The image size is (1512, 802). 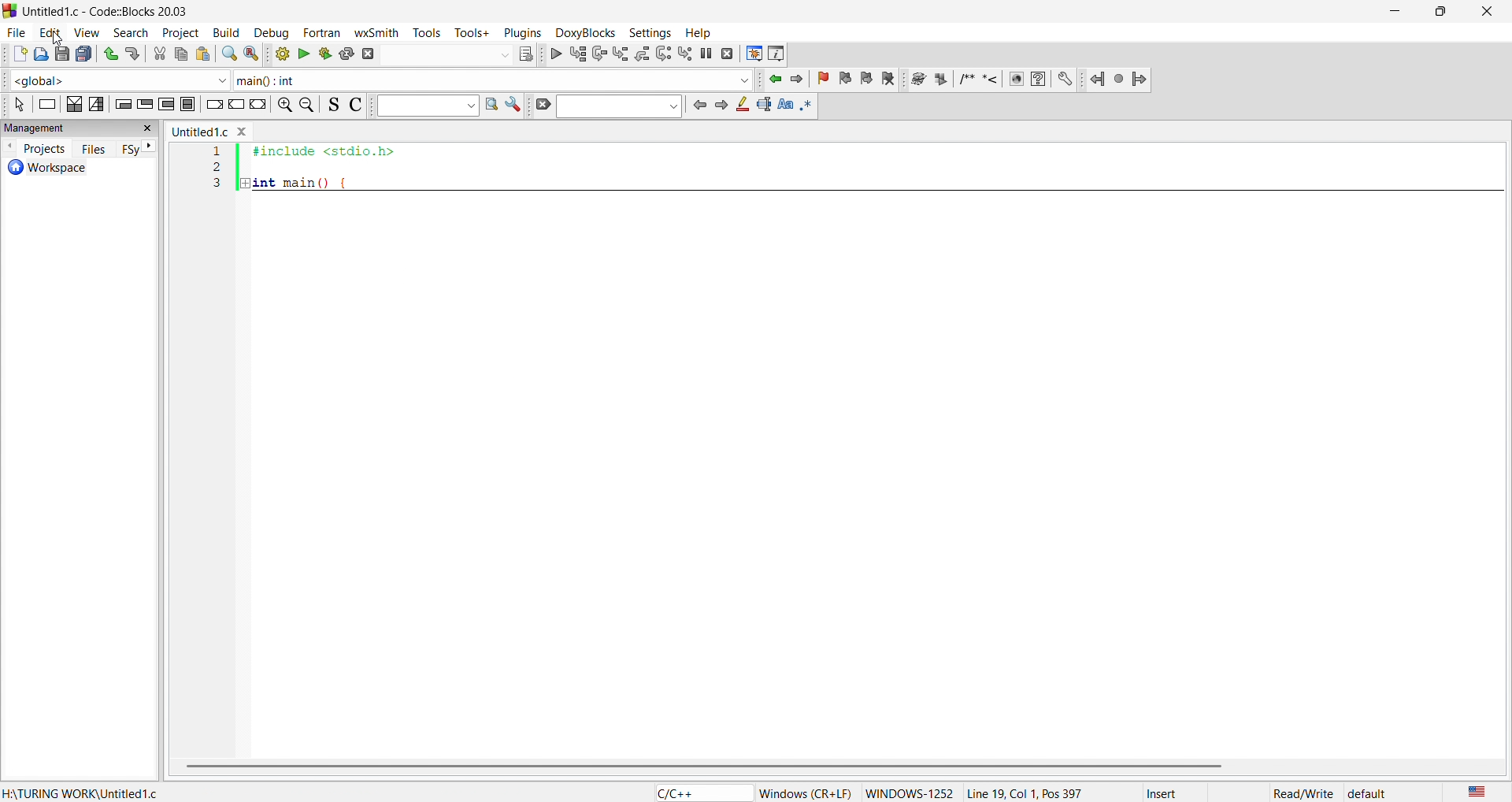 What do you see at coordinates (811, 104) in the screenshot?
I see `use regex` at bounding box center [811, 104].